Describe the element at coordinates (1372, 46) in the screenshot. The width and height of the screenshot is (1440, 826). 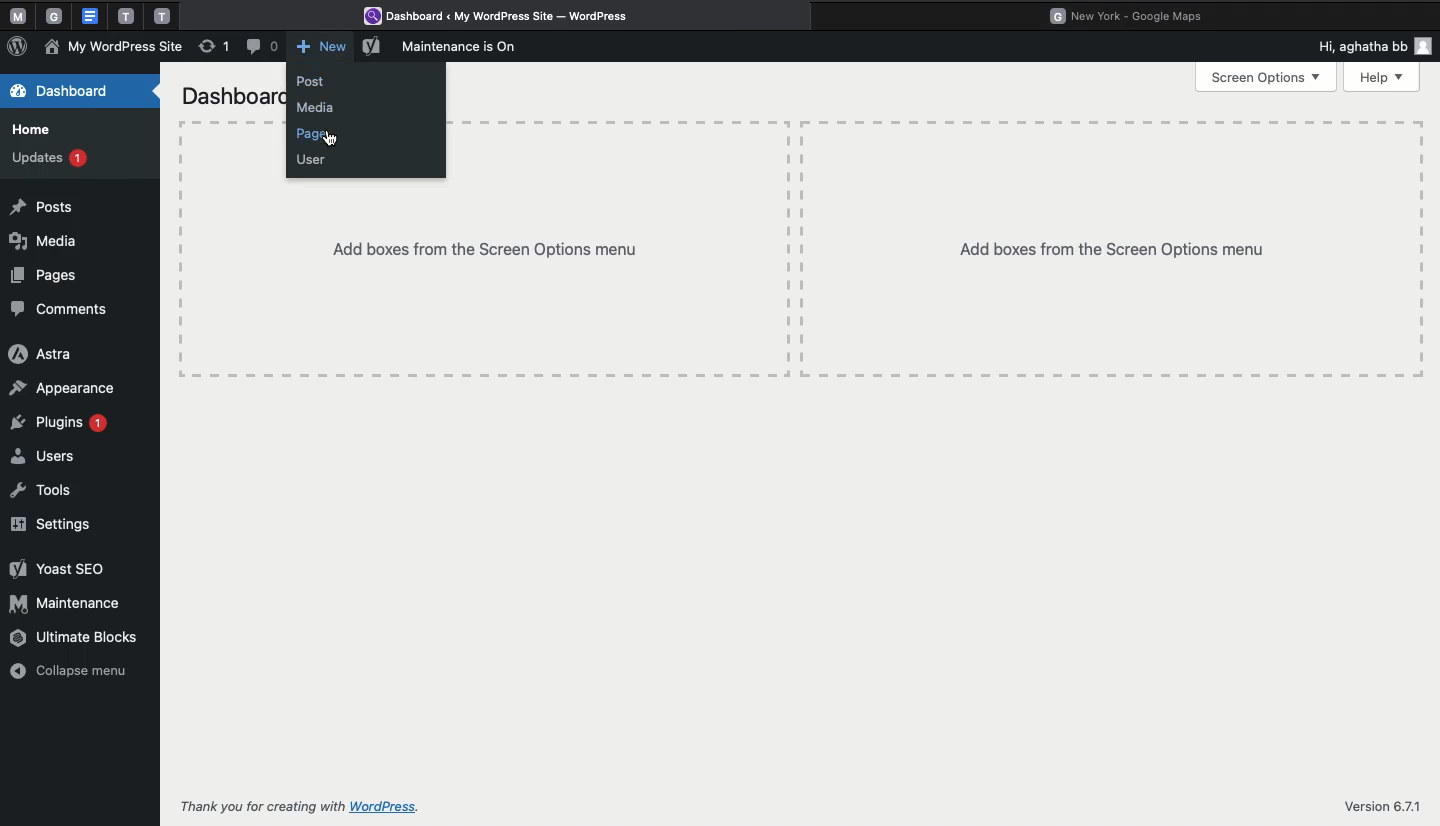
I see `Hi user` at that location.